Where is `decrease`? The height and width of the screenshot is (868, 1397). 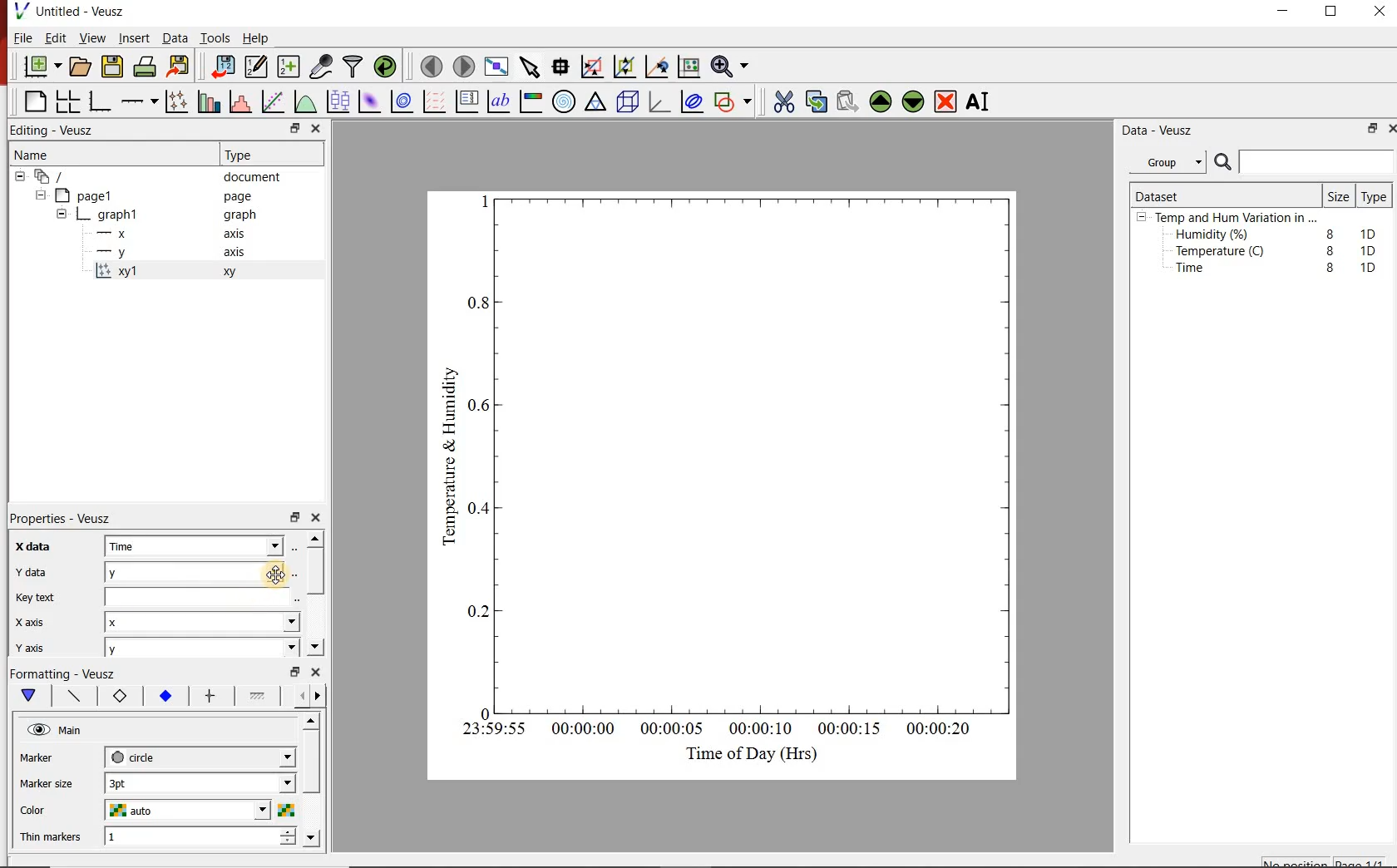
decrease is located at coordinates (287, 846).